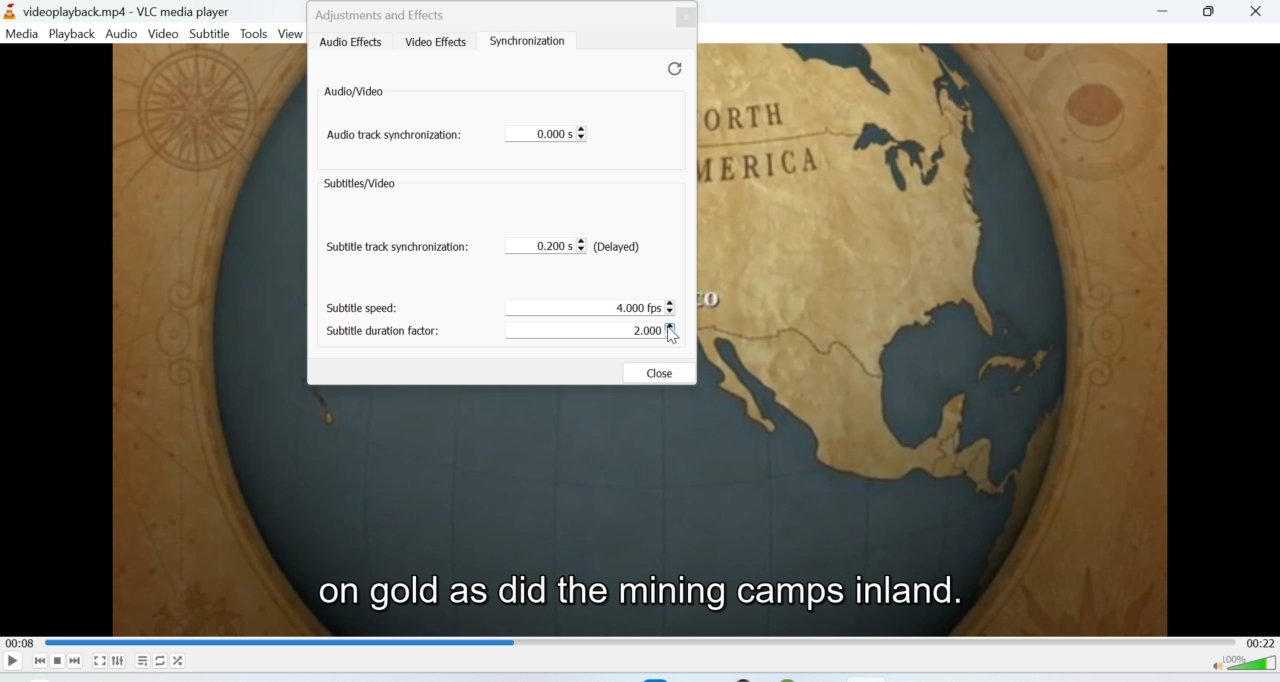 The height and width of the screenshot is (682, 1280). Describe the element at coordinates (547, 133) in the screenshot. I see `0.000s` at that location.